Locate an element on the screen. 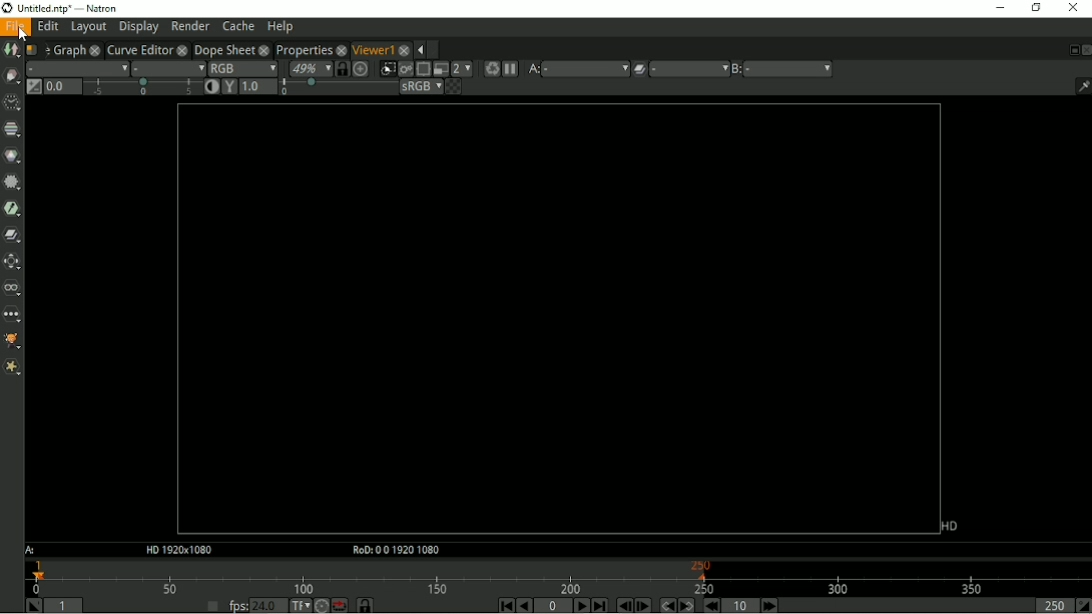 The width and height of the screenshot is (1092, 614). Transform is located at coordinates (14, 261).